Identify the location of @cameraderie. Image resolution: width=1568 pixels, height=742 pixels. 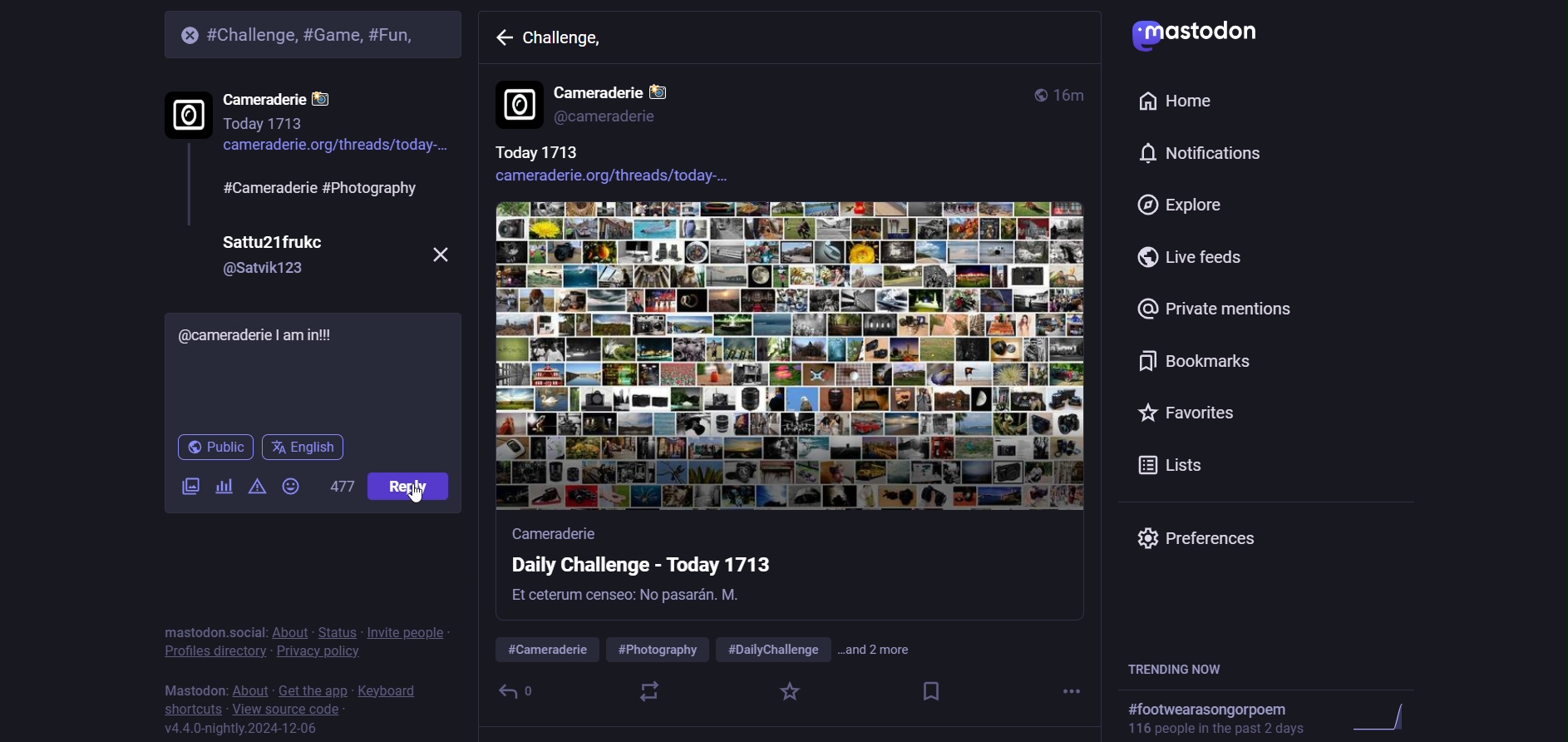
(609, 121).